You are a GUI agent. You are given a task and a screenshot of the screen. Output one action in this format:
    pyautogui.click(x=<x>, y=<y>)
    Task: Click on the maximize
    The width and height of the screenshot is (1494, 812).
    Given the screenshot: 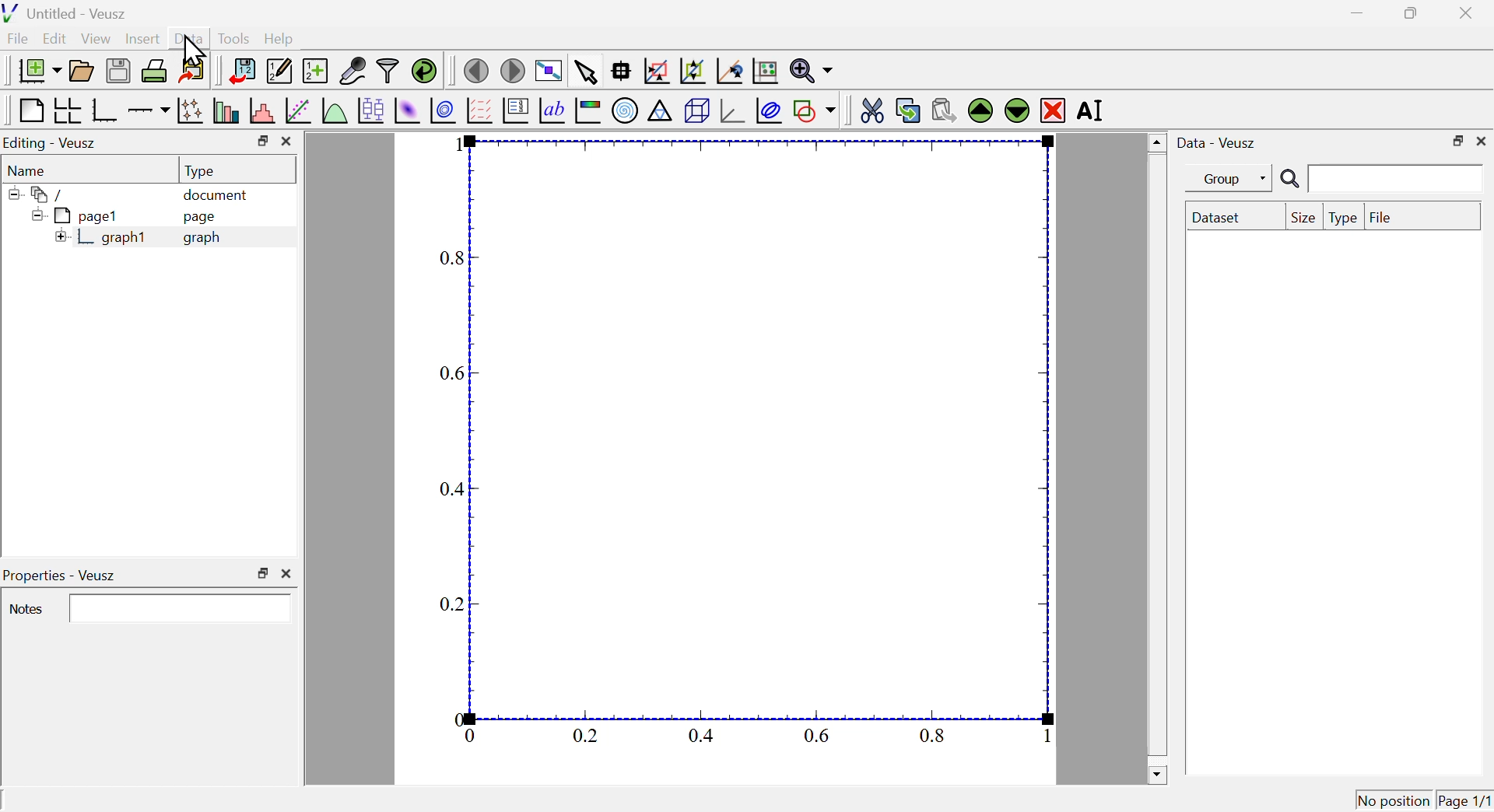 What is the action you would take?
    pyautogui.click(x=262, y=573)
    